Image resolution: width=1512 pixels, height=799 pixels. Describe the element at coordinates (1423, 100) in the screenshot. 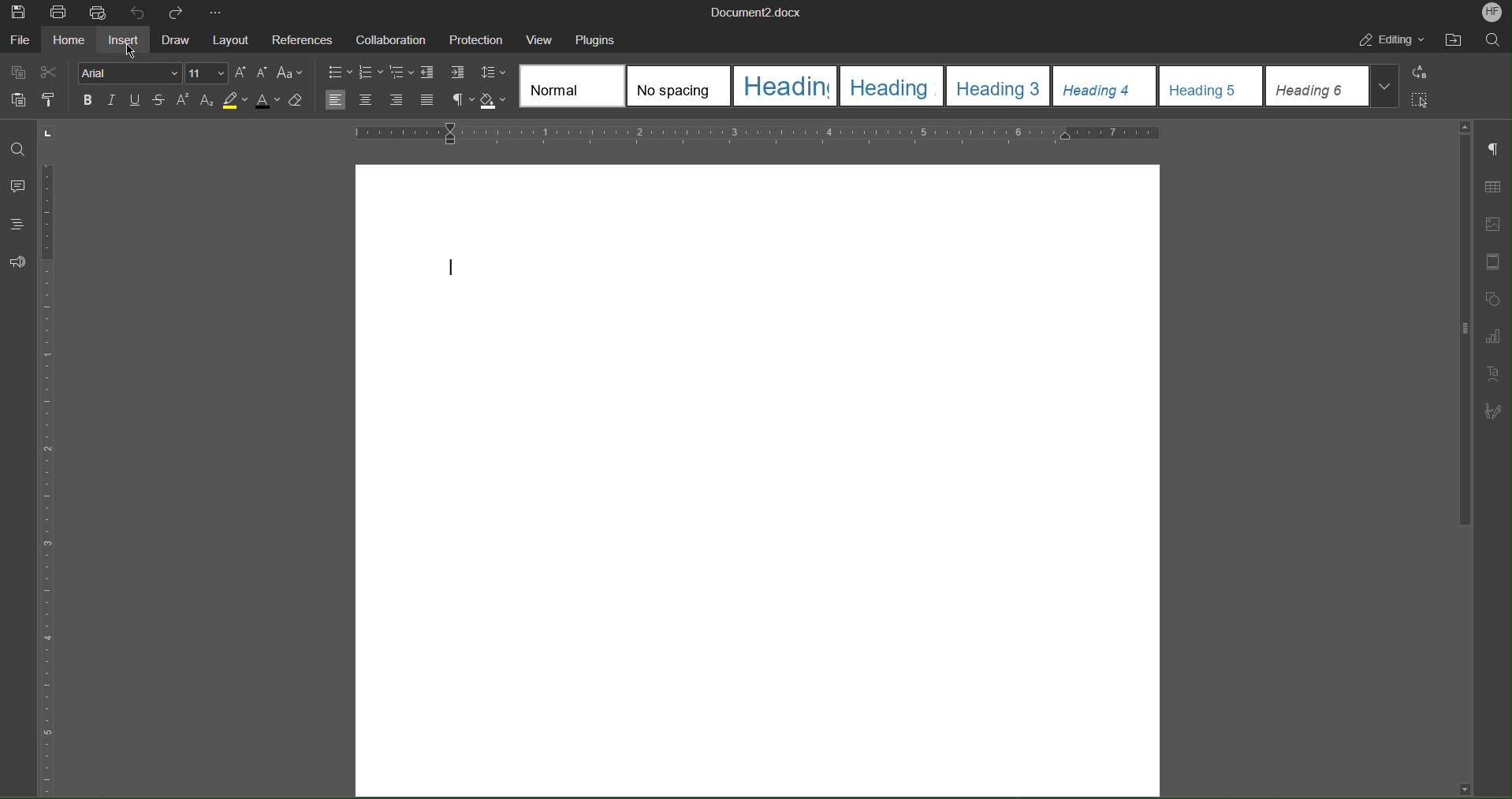

I see `Select All` at that location.